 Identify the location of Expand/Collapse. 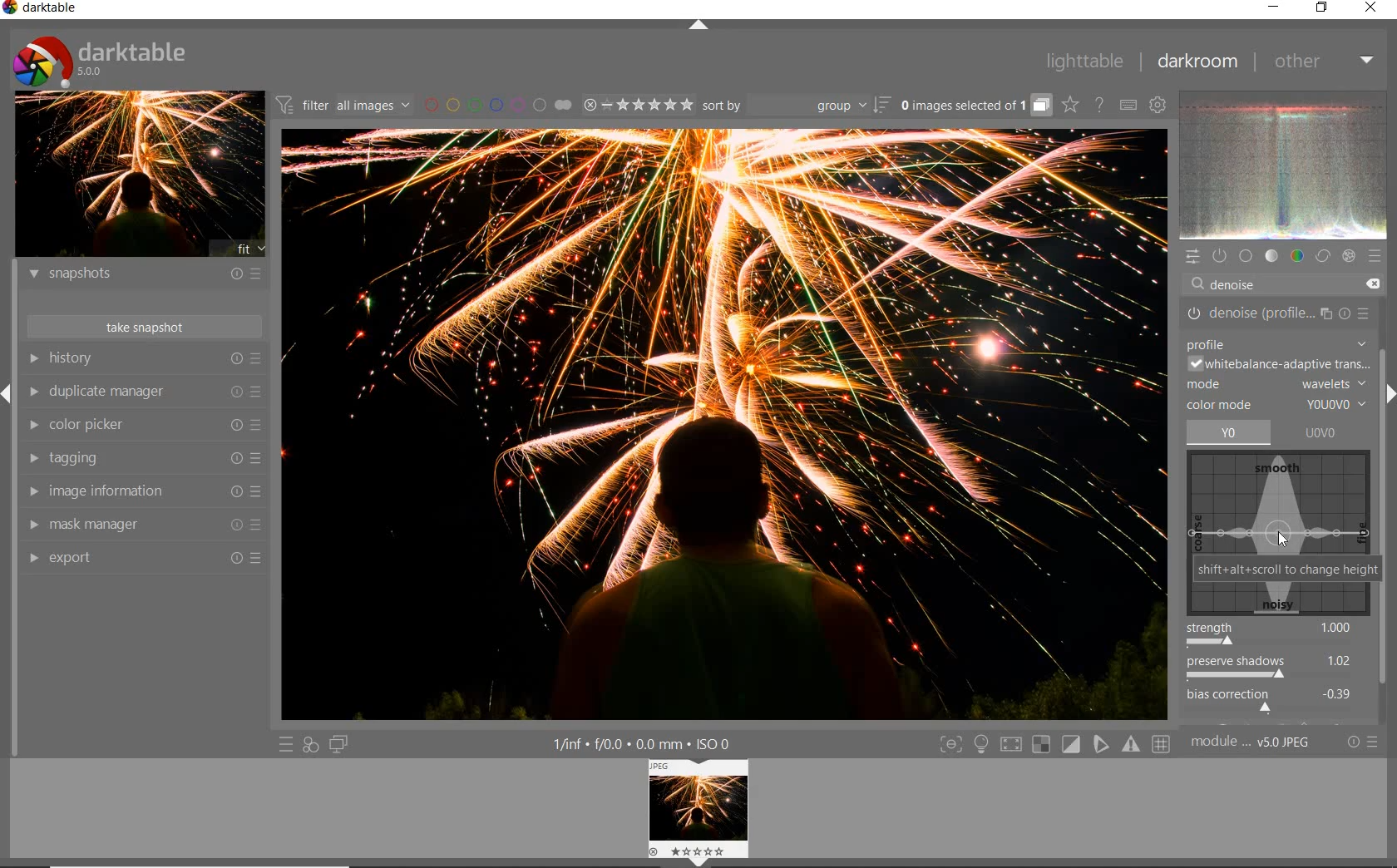
(8, 394).